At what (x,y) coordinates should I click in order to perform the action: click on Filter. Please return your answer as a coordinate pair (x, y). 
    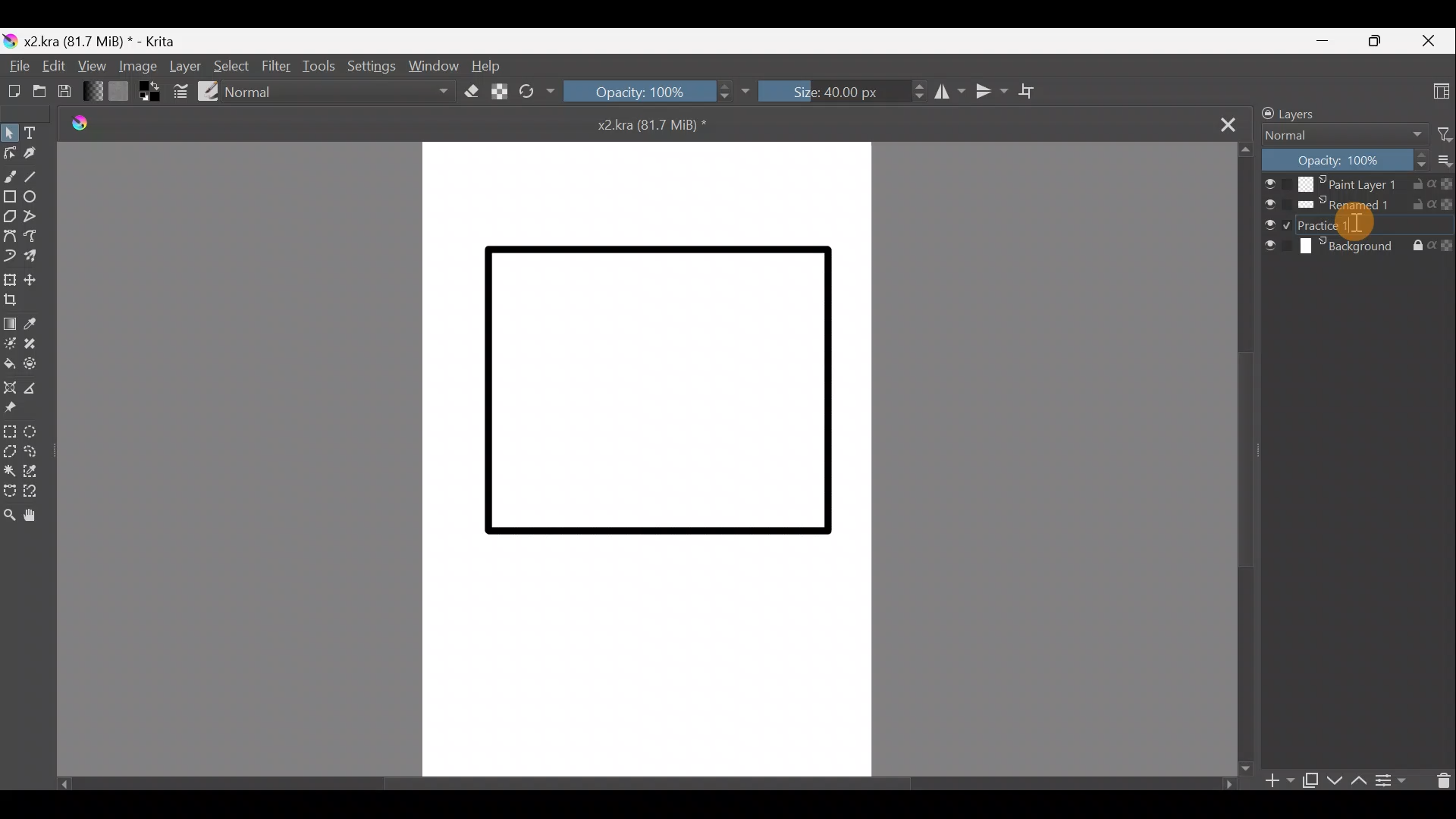
    Looking at the image, I should click on (277, 67).